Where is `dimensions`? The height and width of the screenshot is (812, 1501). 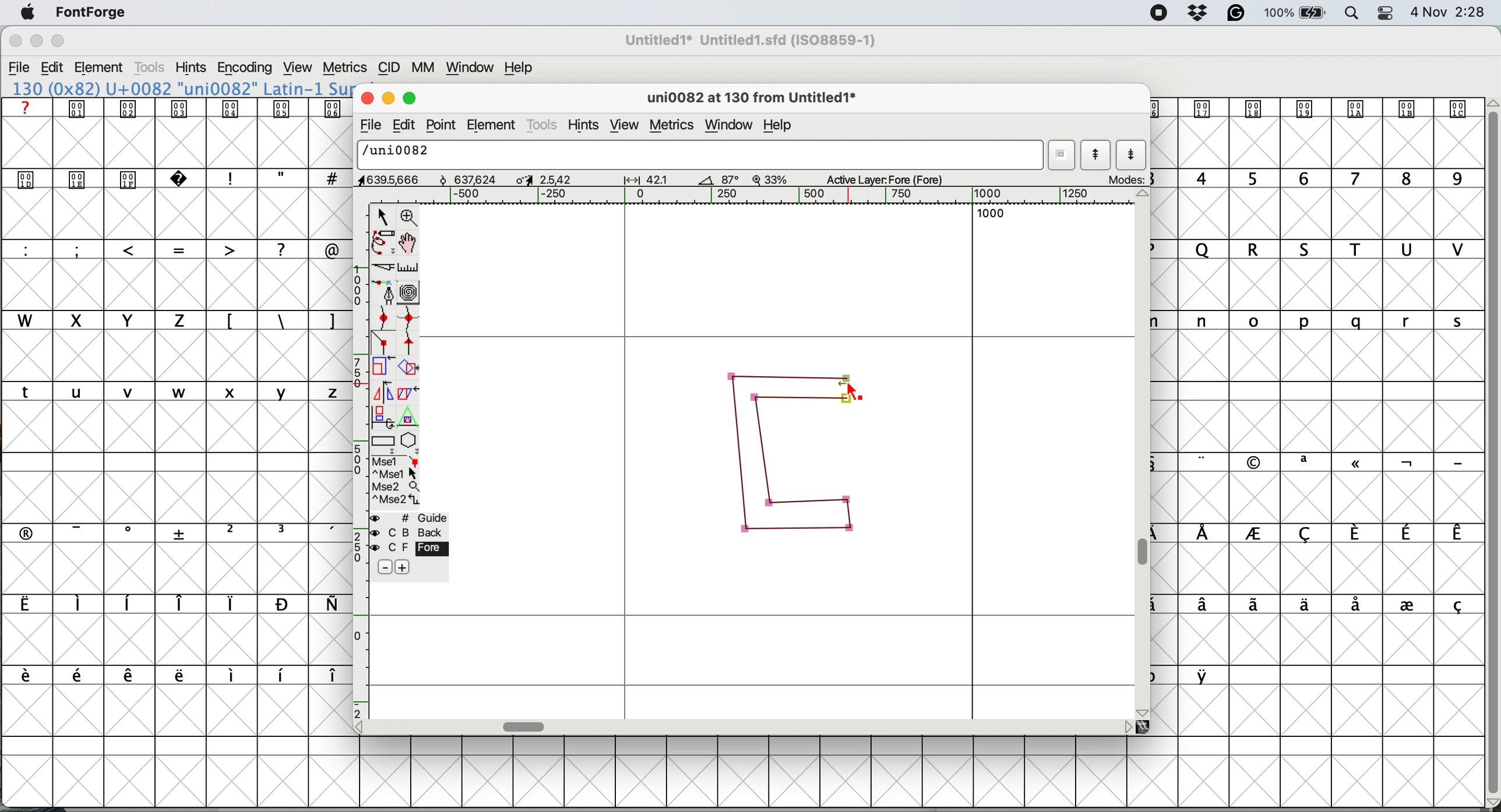 dimensions is located at coordinates (541, 179).